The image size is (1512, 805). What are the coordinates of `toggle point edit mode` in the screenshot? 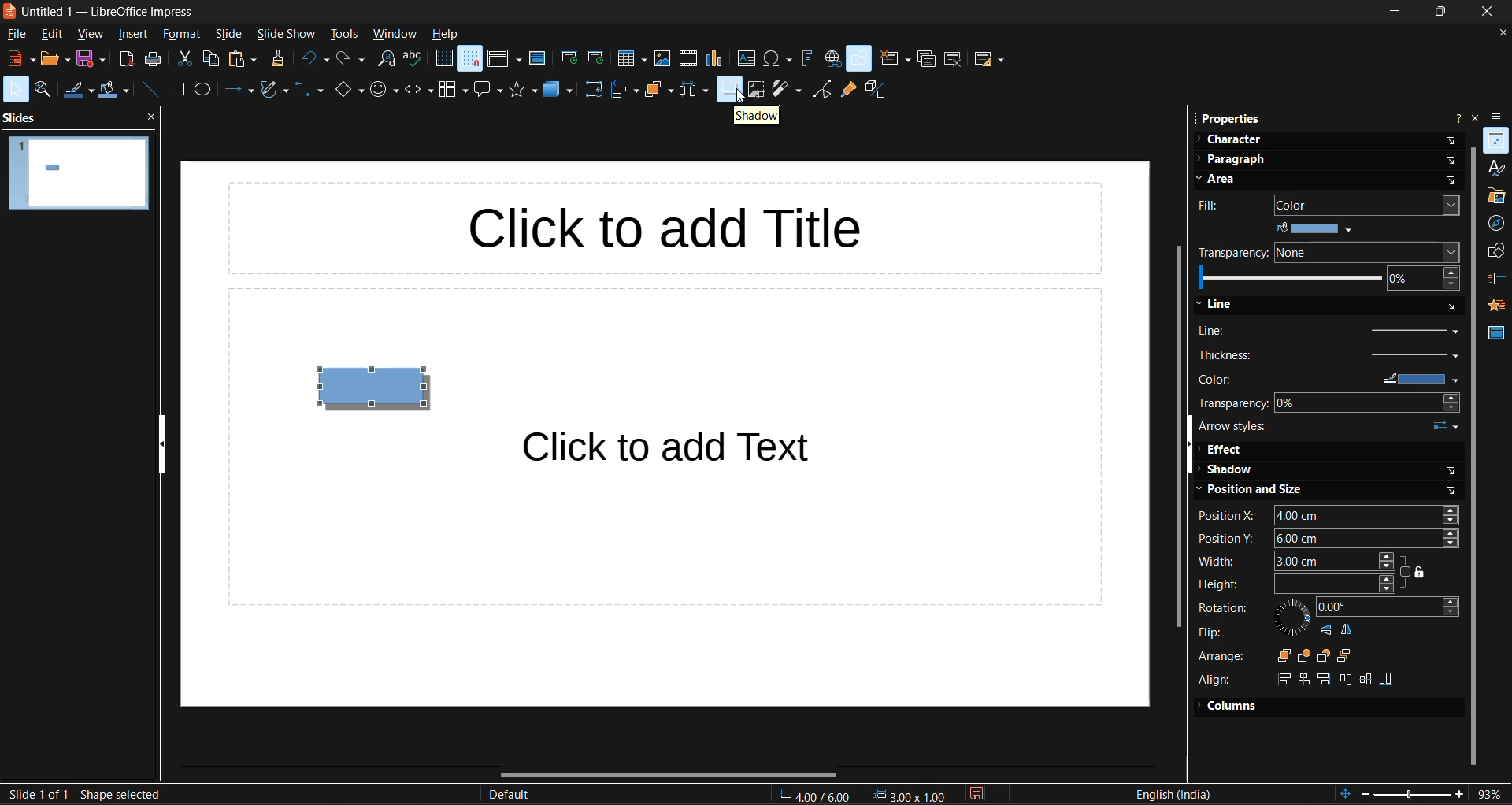 It's located at (820, 89).